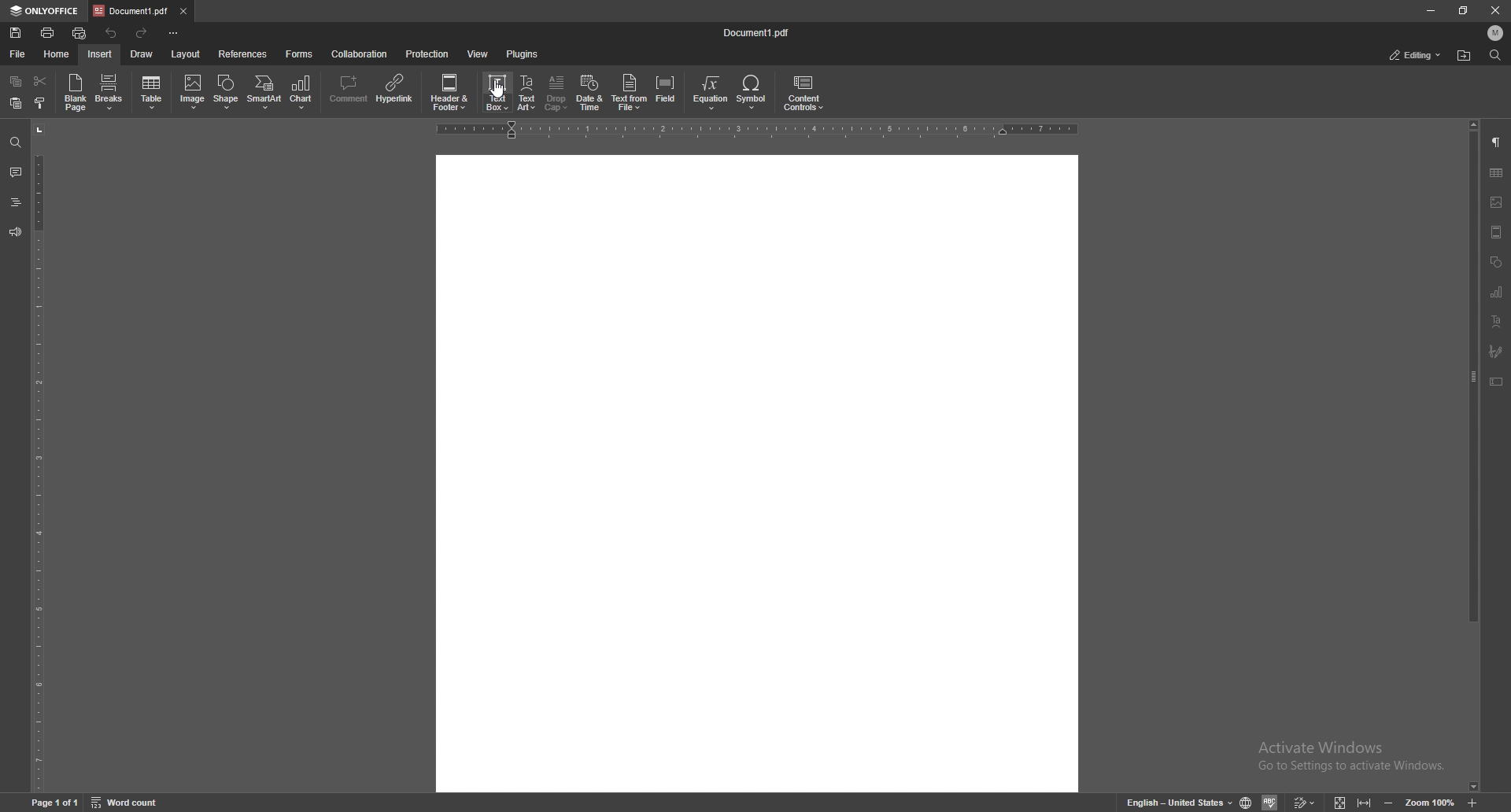 The width and height of the screenshot is (1511, 812). Describe the element at coordinates (40, 104) in the screenshot. I see `copy style` at that location.